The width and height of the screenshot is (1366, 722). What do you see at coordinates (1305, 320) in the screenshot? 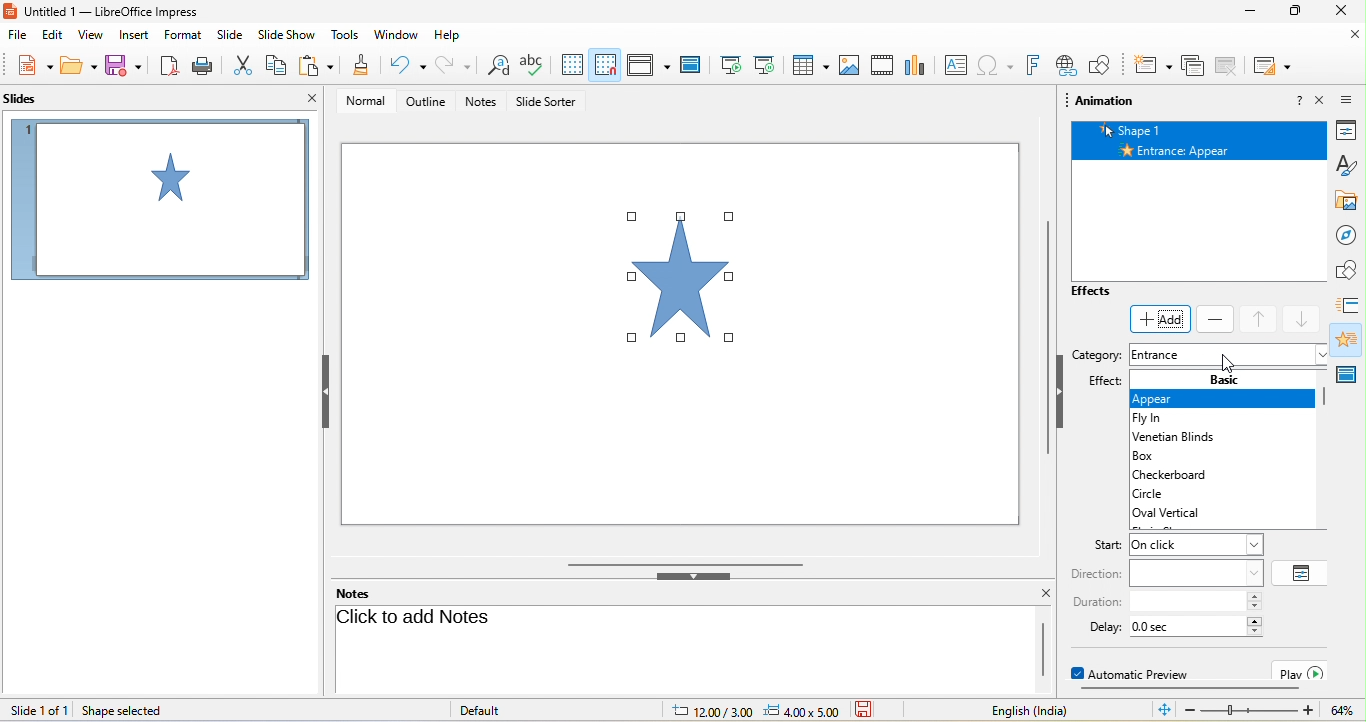
I see `move down` at bounding box center [1305, 320].